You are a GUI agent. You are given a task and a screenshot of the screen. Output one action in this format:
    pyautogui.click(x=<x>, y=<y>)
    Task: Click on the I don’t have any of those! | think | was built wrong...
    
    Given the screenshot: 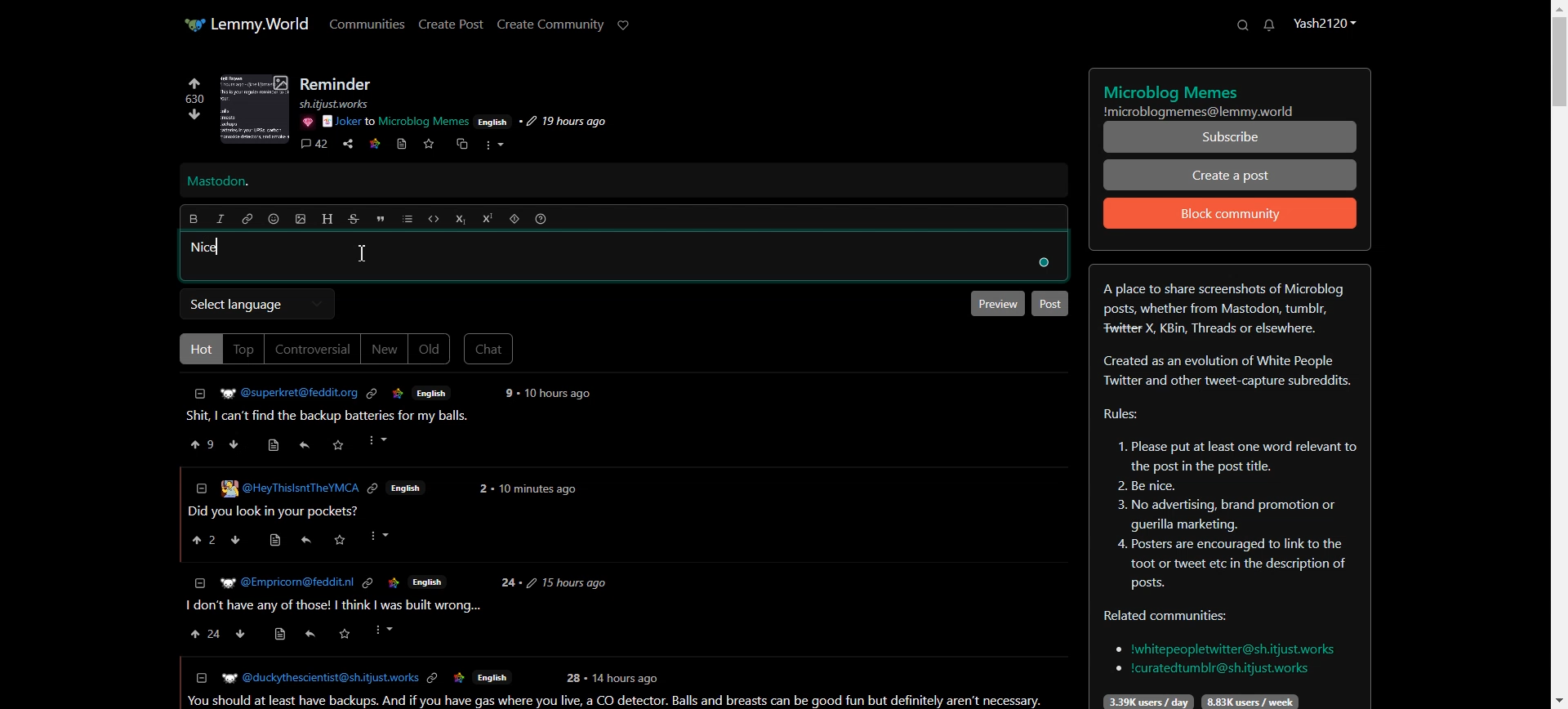 What is the action you would take?
    pyautogui.click(x=332, y=606)
    